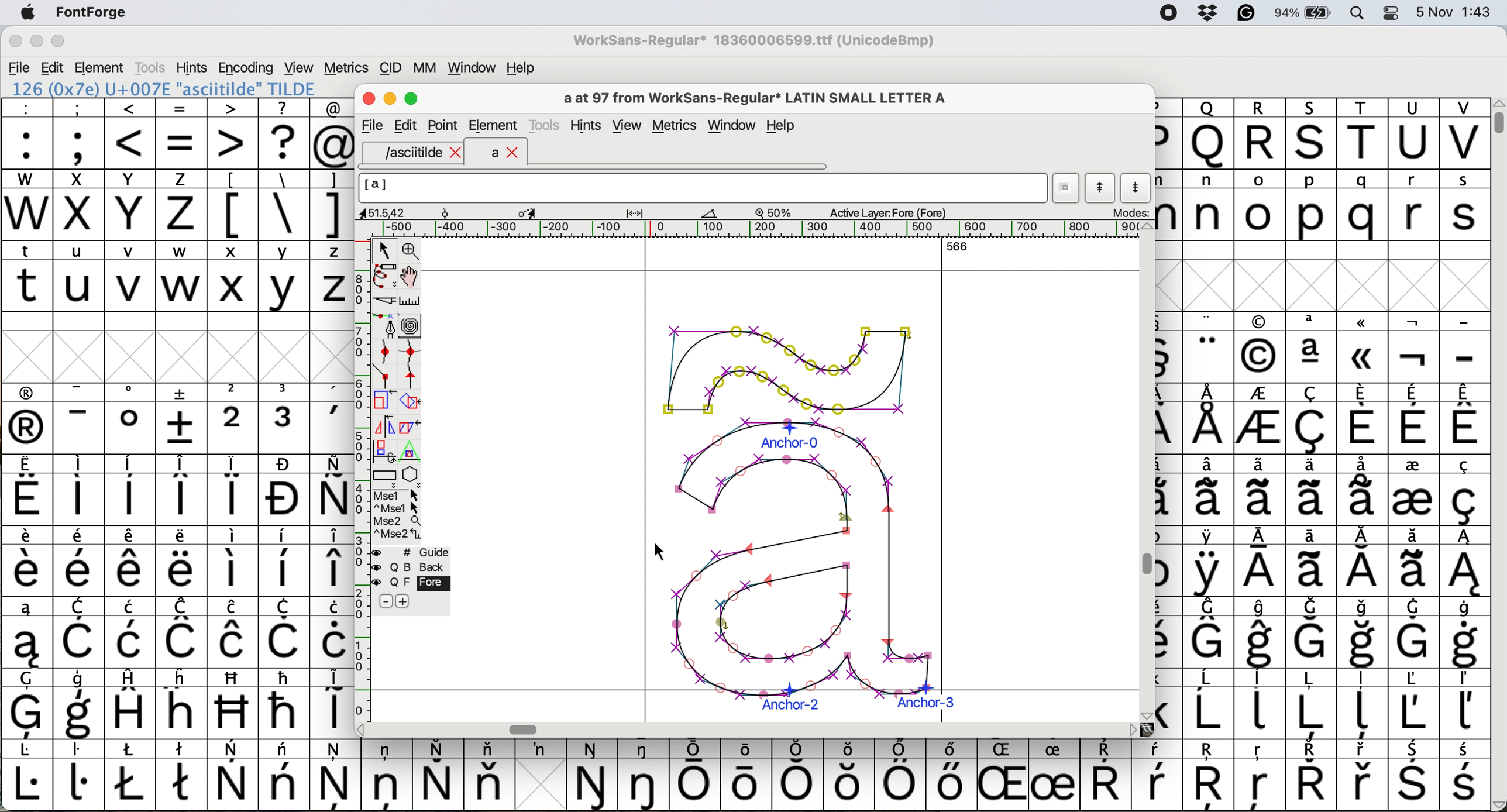 This screenshot has width=1507, height=812. I want to click on symbol, so click(949, 774).